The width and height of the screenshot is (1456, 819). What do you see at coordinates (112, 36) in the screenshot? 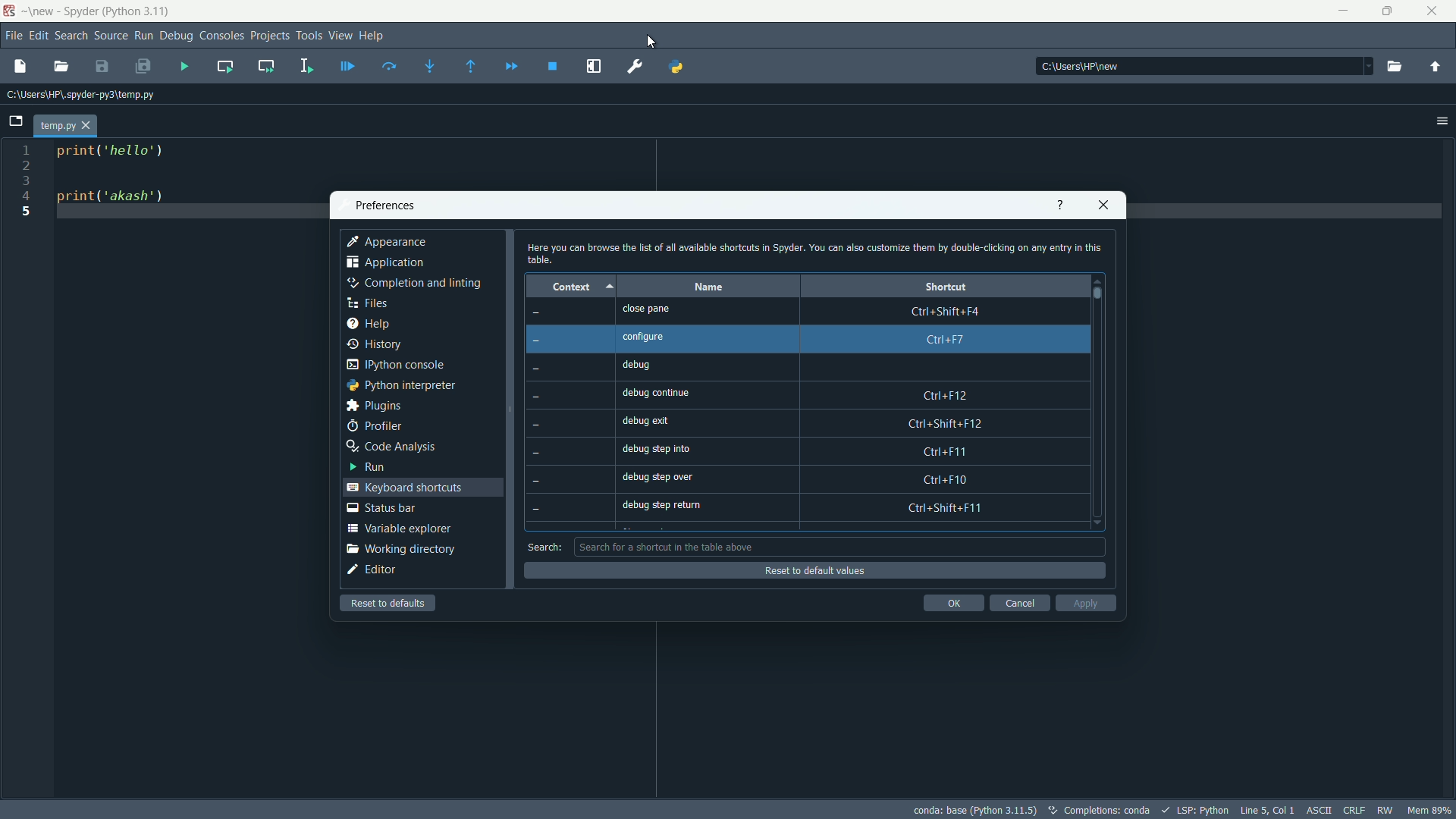
I see `source menu` at bounding box center [112, 36].